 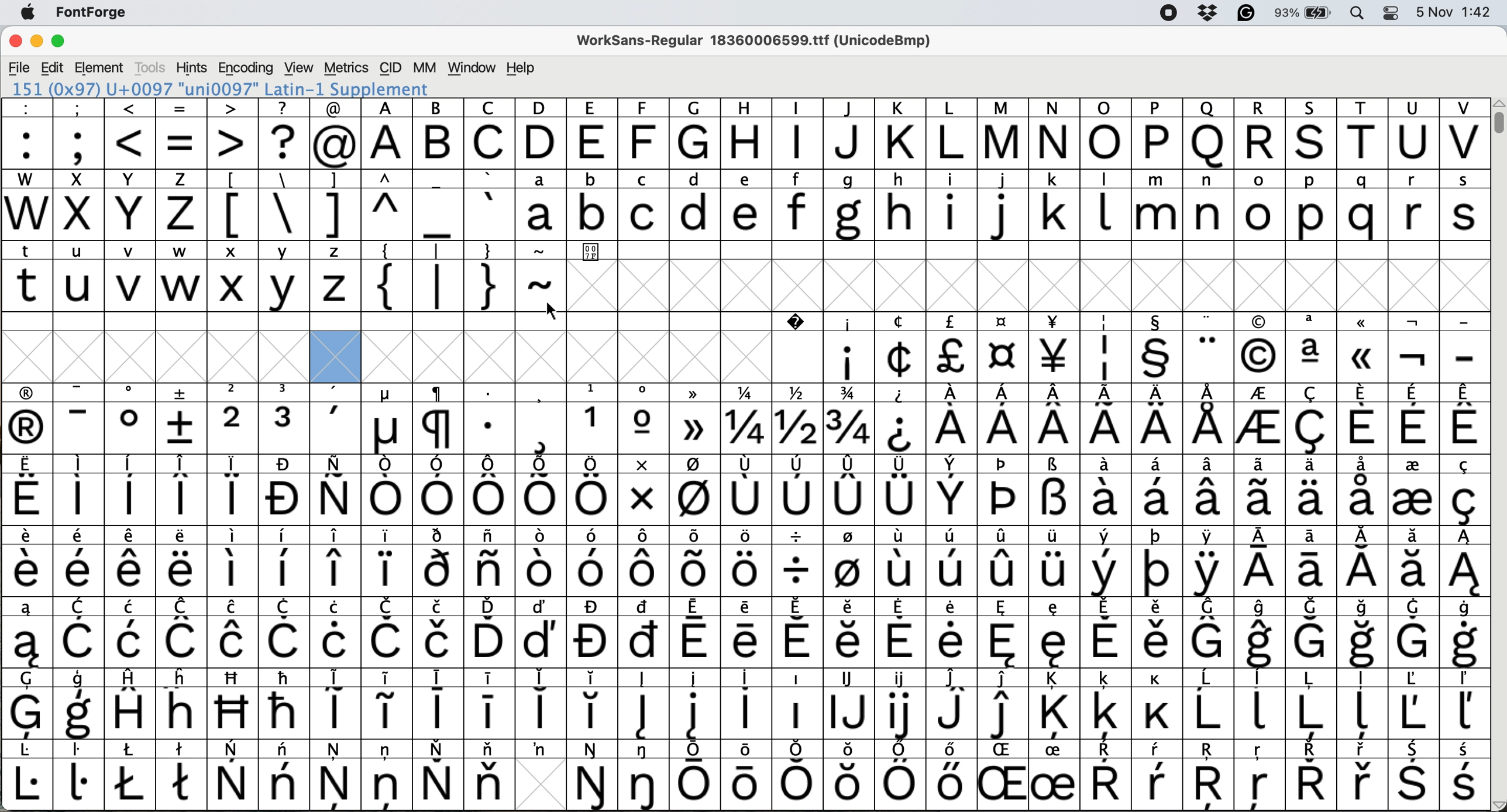 I want to click on symbol, so click(x=1310, y=775).